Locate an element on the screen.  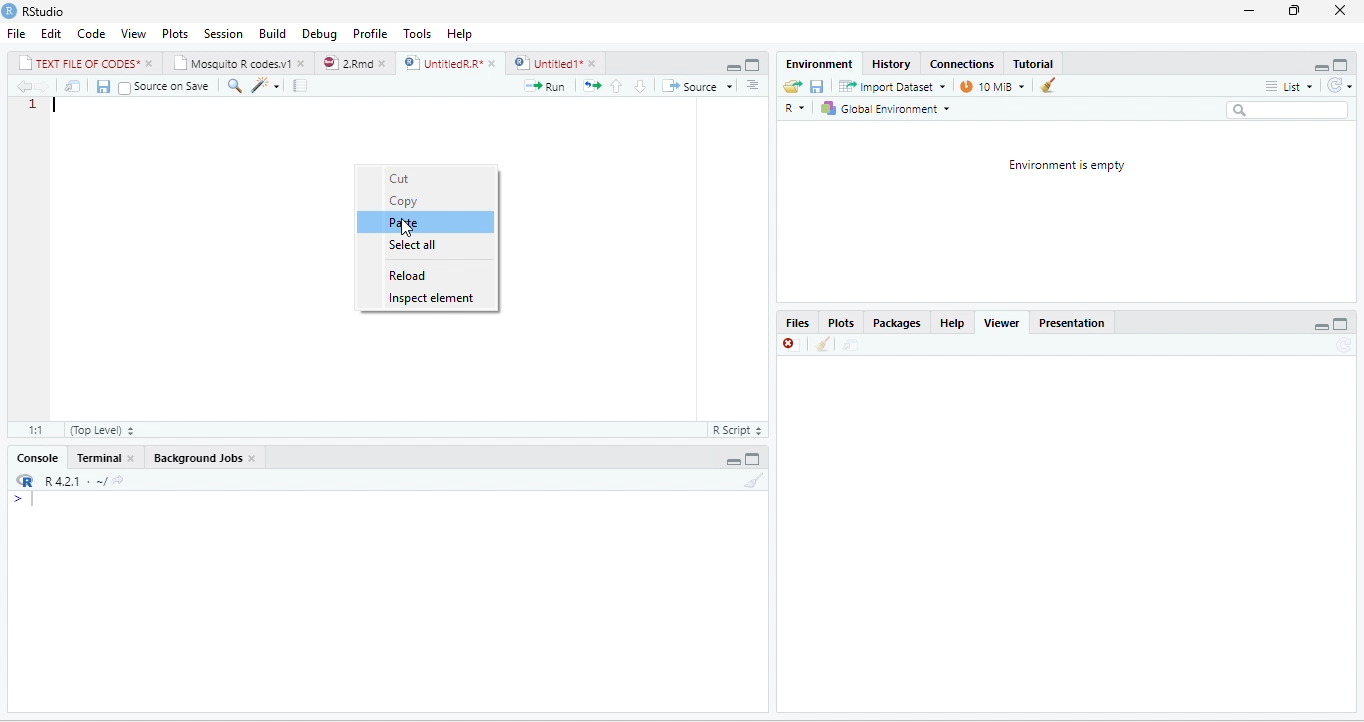
minimize is located at coordinates (1250, 13).